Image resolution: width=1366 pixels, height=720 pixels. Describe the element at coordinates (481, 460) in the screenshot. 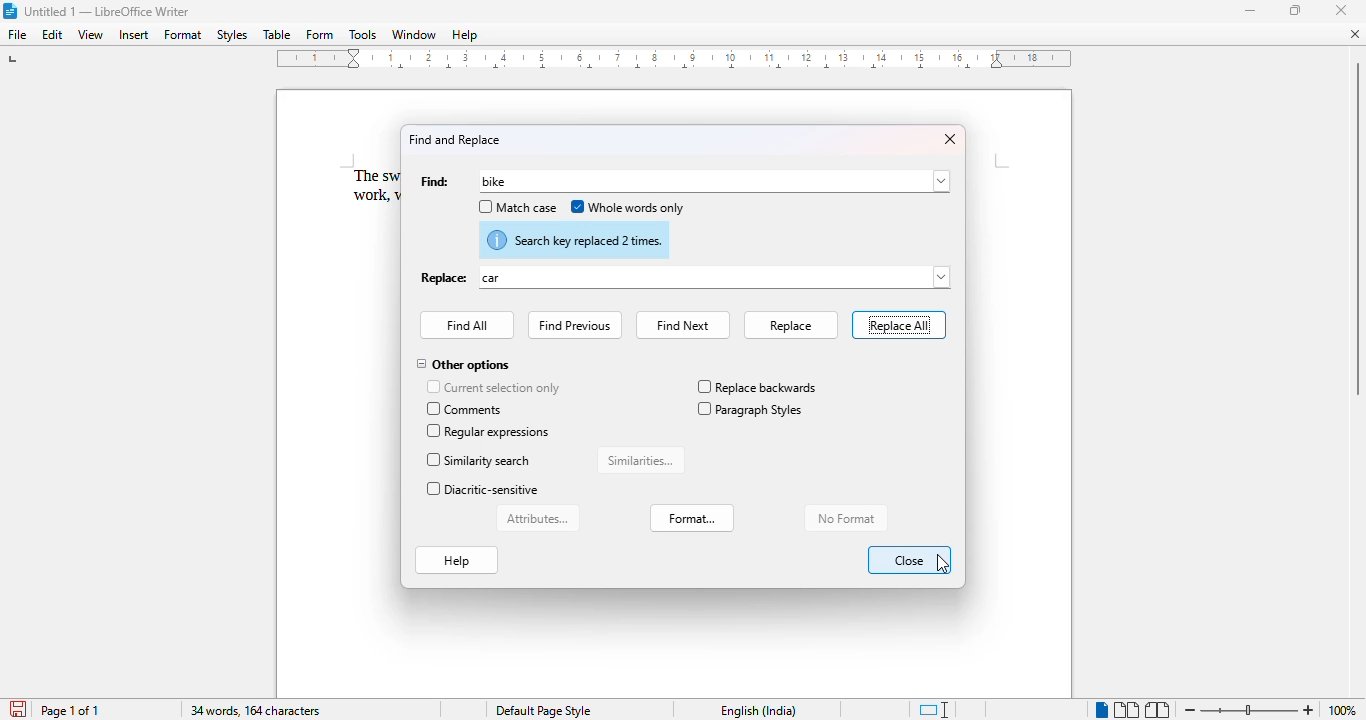

I see `similarity search` at that location.